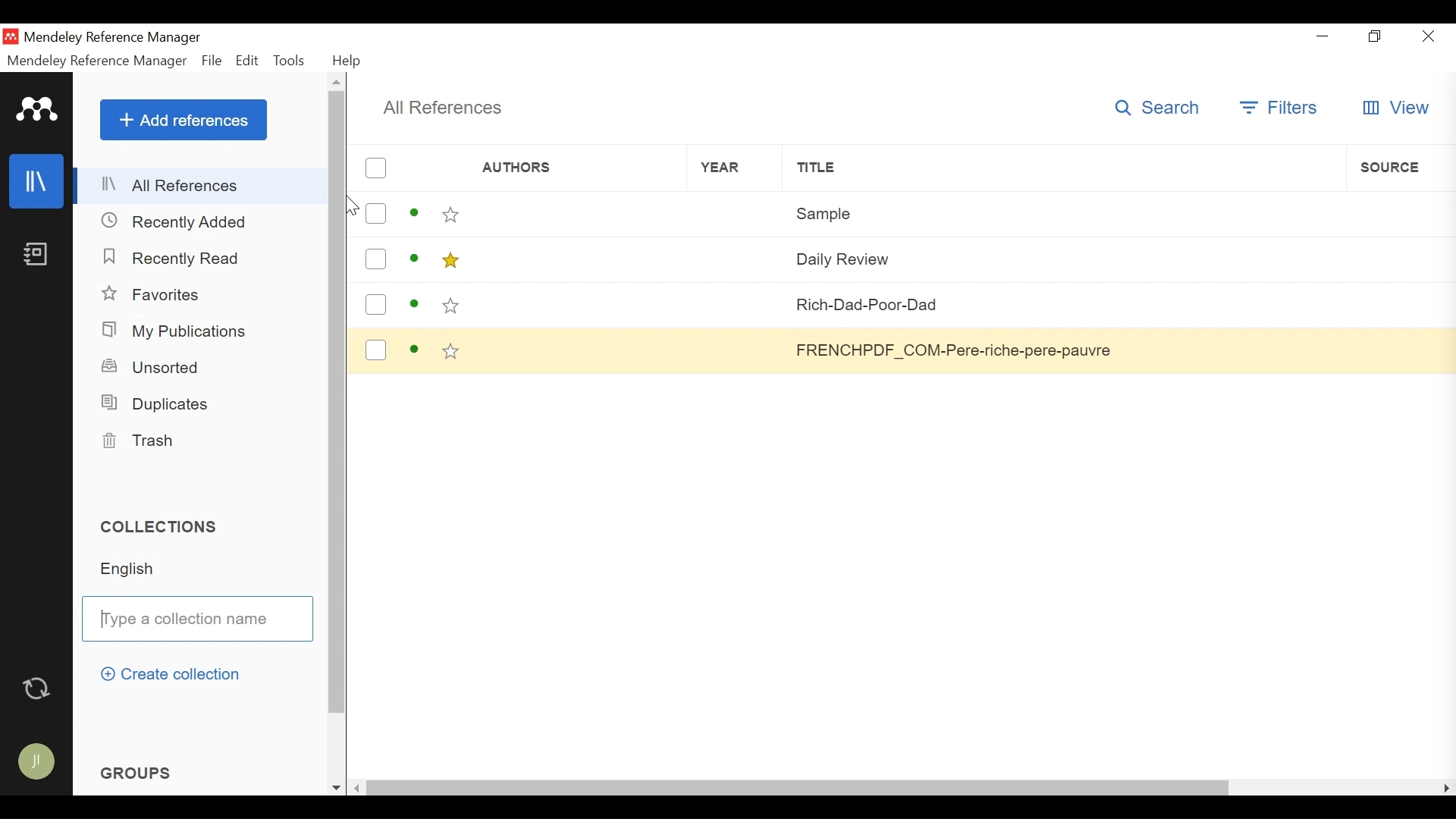 The height and width of the screenshot is (819, 1456). Describe the element at coordinates (139, 770) in the screenshot. I see `Groups` at that location.